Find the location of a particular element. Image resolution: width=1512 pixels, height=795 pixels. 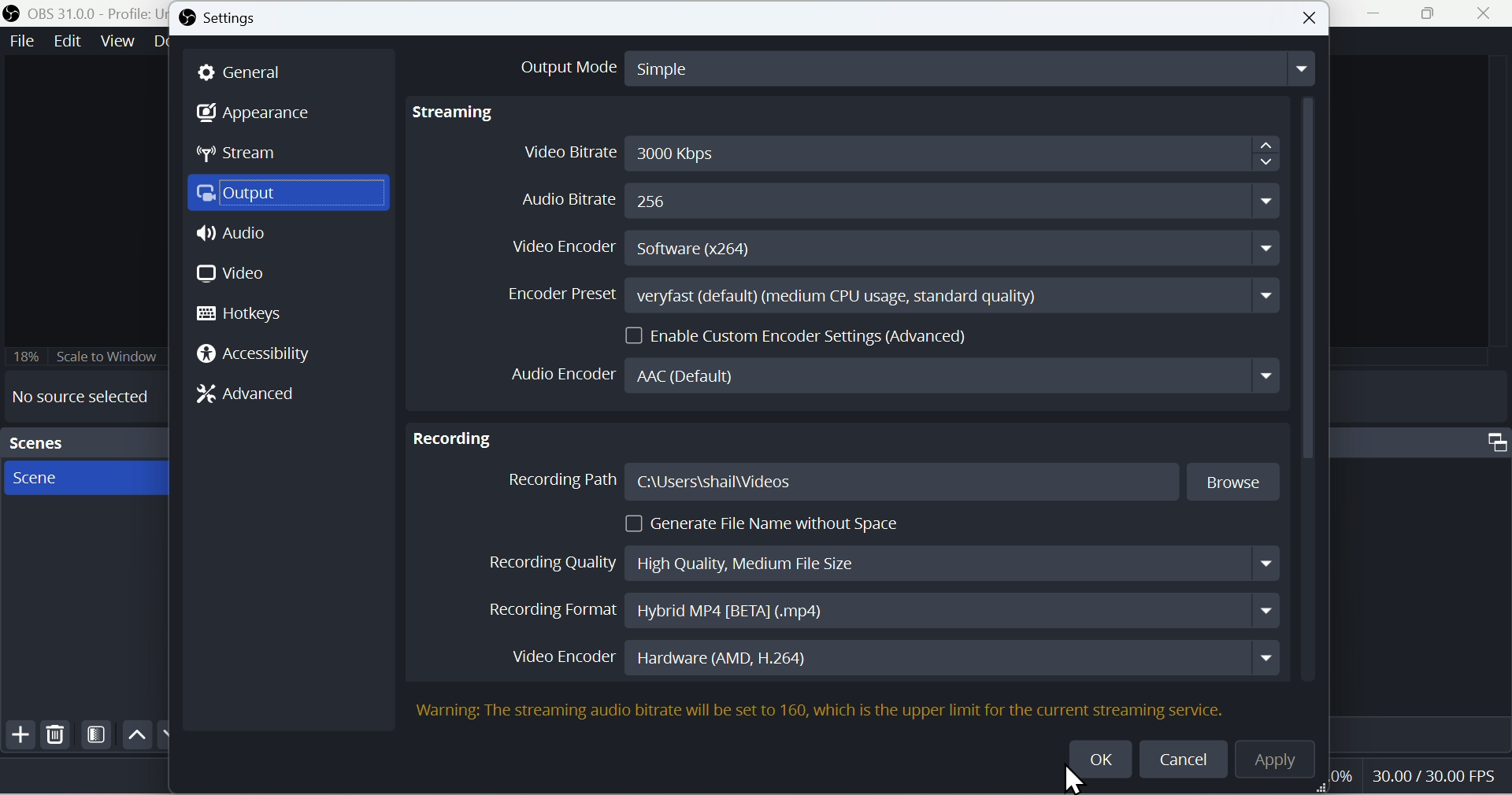

Encoder Preset is located at coordinates (888, 295).